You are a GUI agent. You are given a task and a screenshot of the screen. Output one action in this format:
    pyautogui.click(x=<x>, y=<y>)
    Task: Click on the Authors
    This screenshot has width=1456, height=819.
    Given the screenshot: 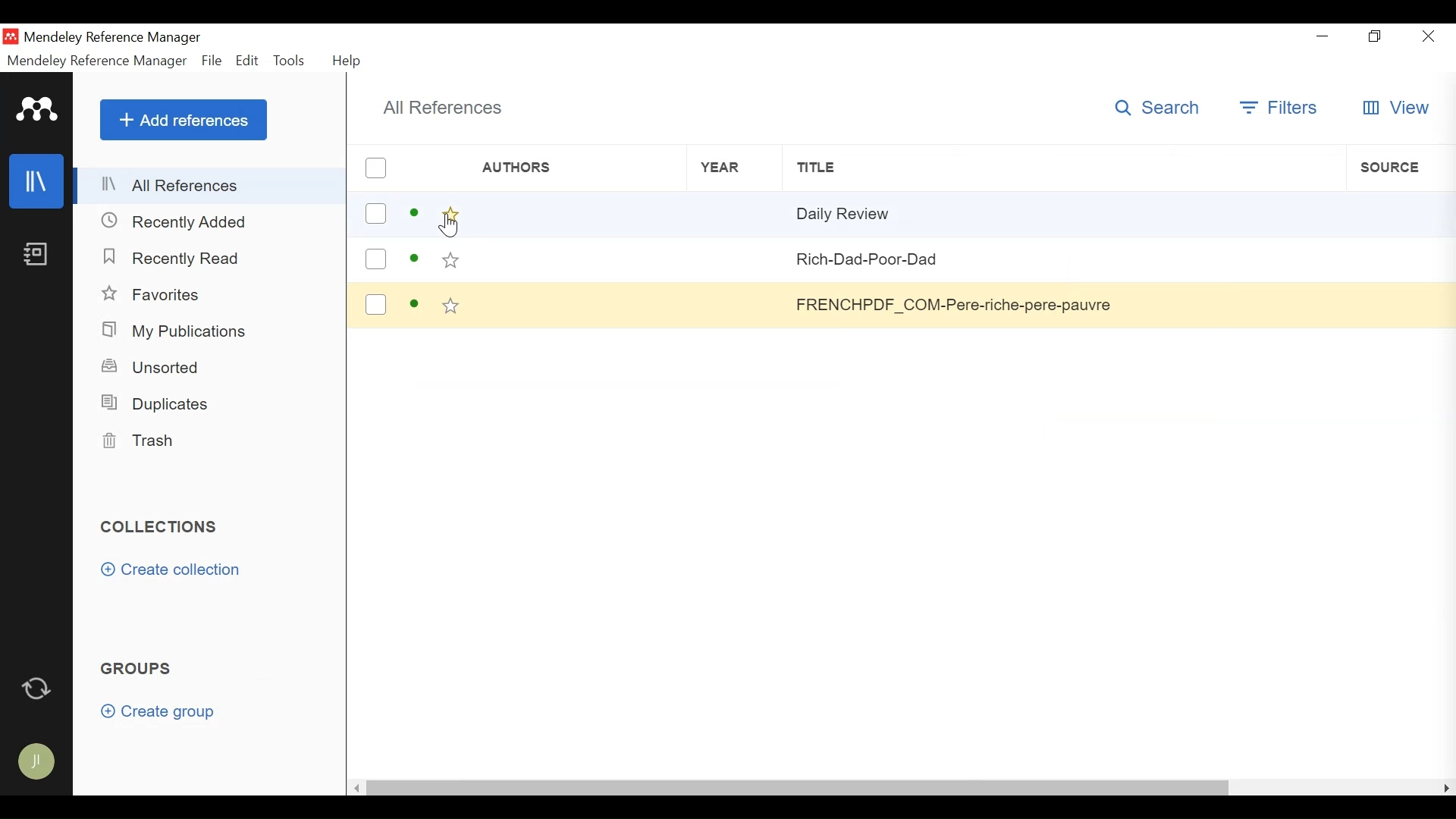 What is the action you would take?
    pyautogui.click(x=570, y=168)
    